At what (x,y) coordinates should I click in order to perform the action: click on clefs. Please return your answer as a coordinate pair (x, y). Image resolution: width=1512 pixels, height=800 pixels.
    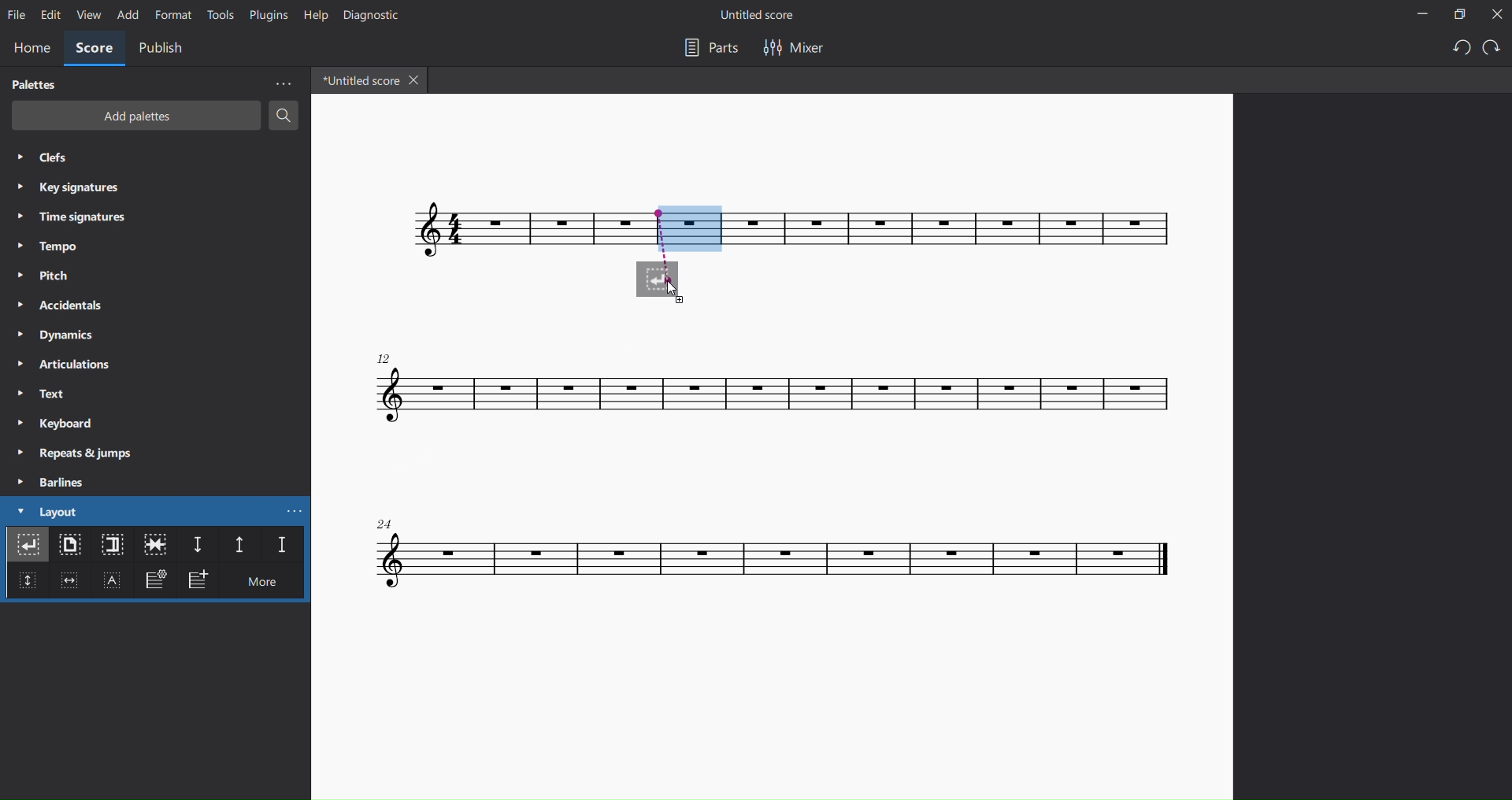
    Looking at the image, I should click on (50, 159).